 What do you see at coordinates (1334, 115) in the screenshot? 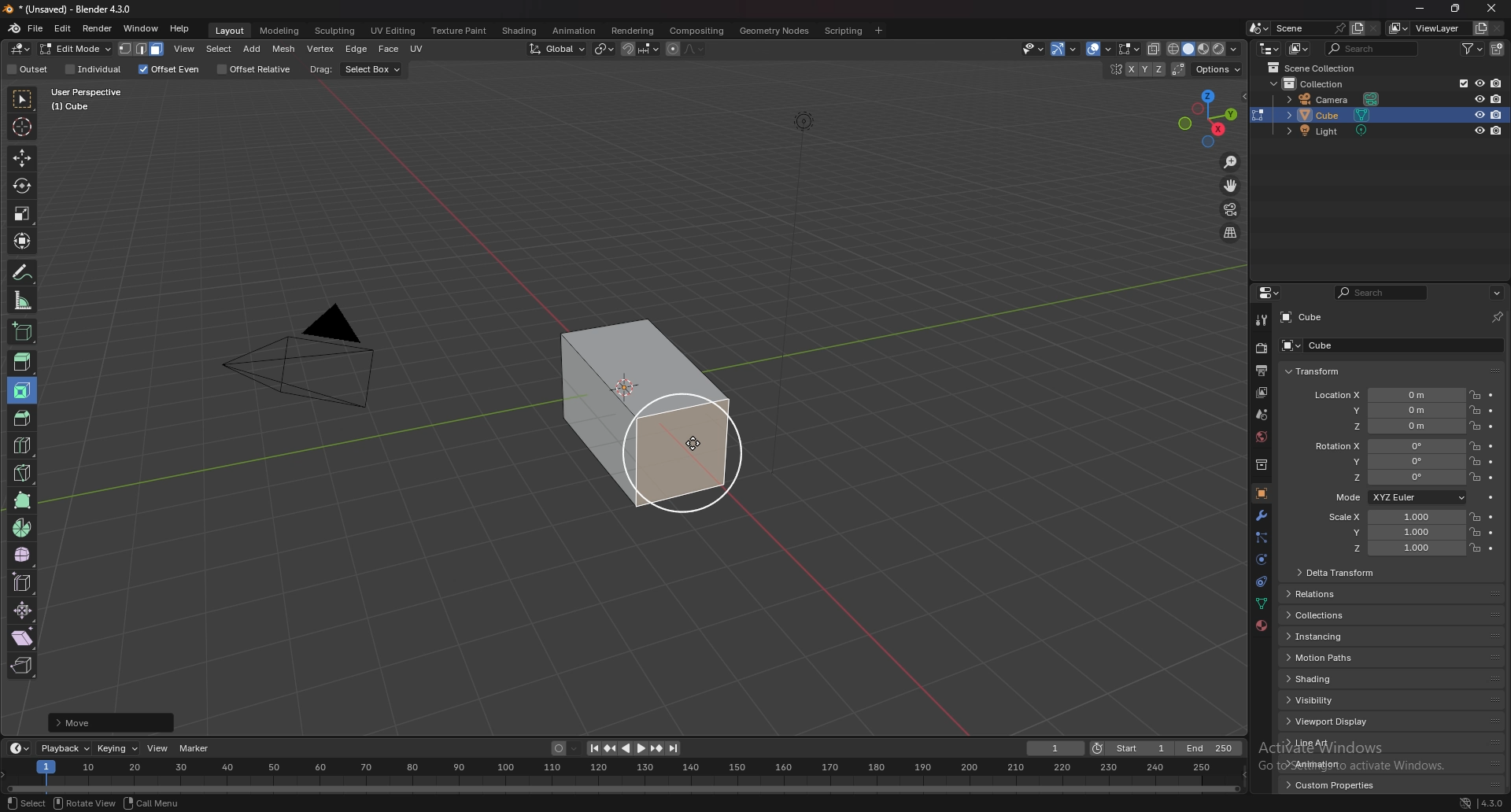
I see `cube` at bounding box center [1334, 115].